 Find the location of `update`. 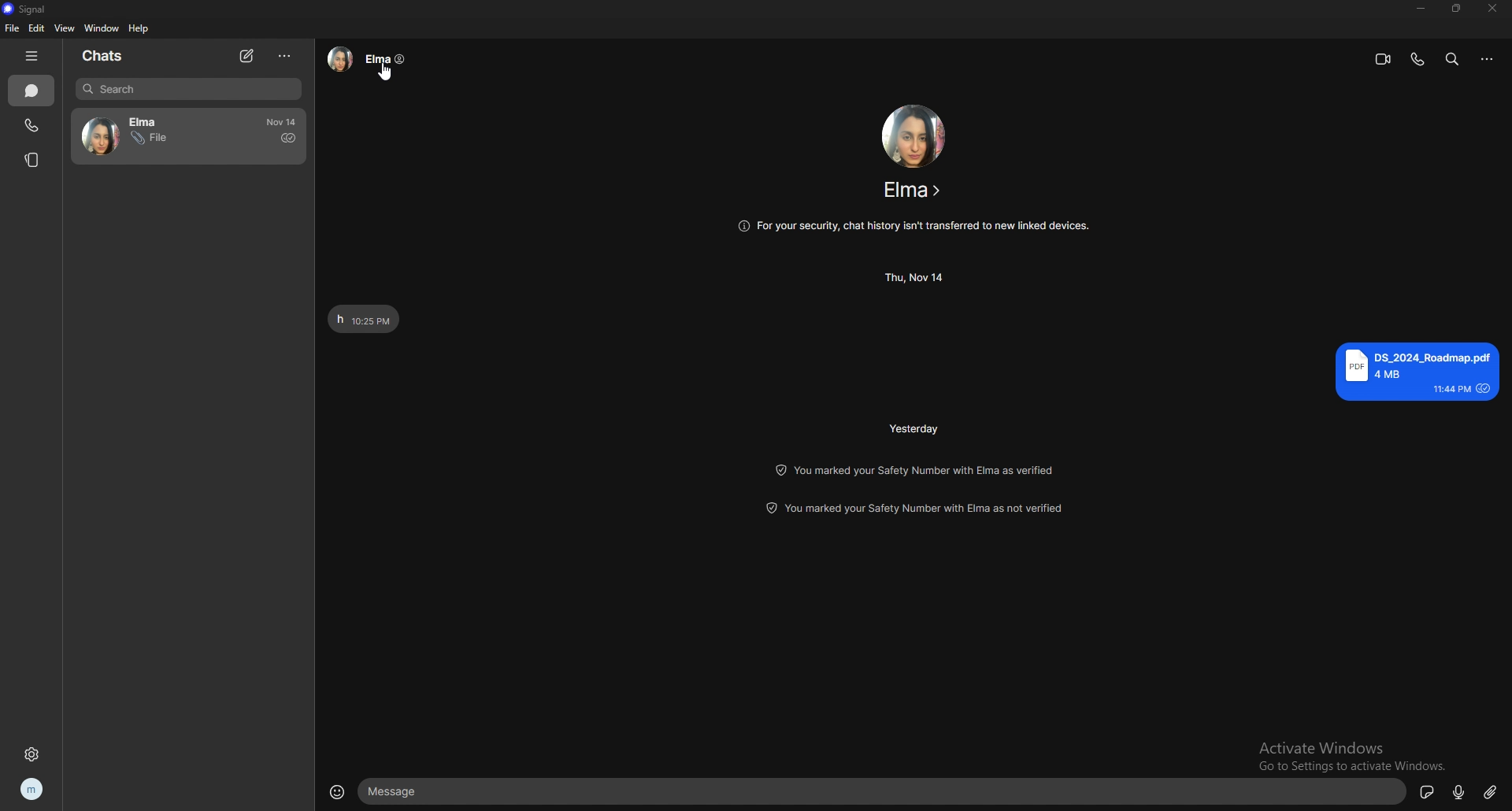

update is located at coordinates (913, 468).